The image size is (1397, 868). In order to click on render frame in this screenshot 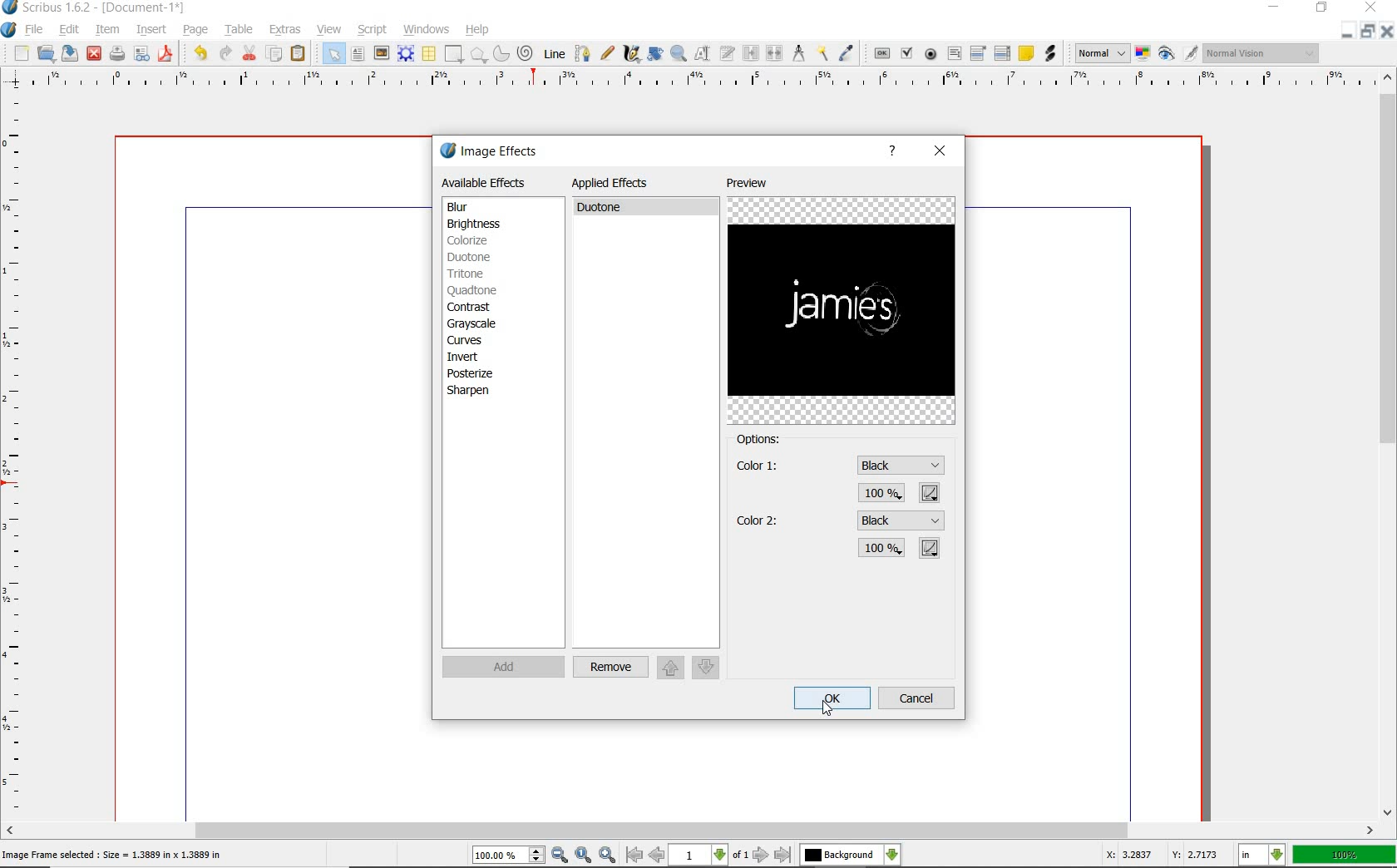, I will do `click(405, 54)`.